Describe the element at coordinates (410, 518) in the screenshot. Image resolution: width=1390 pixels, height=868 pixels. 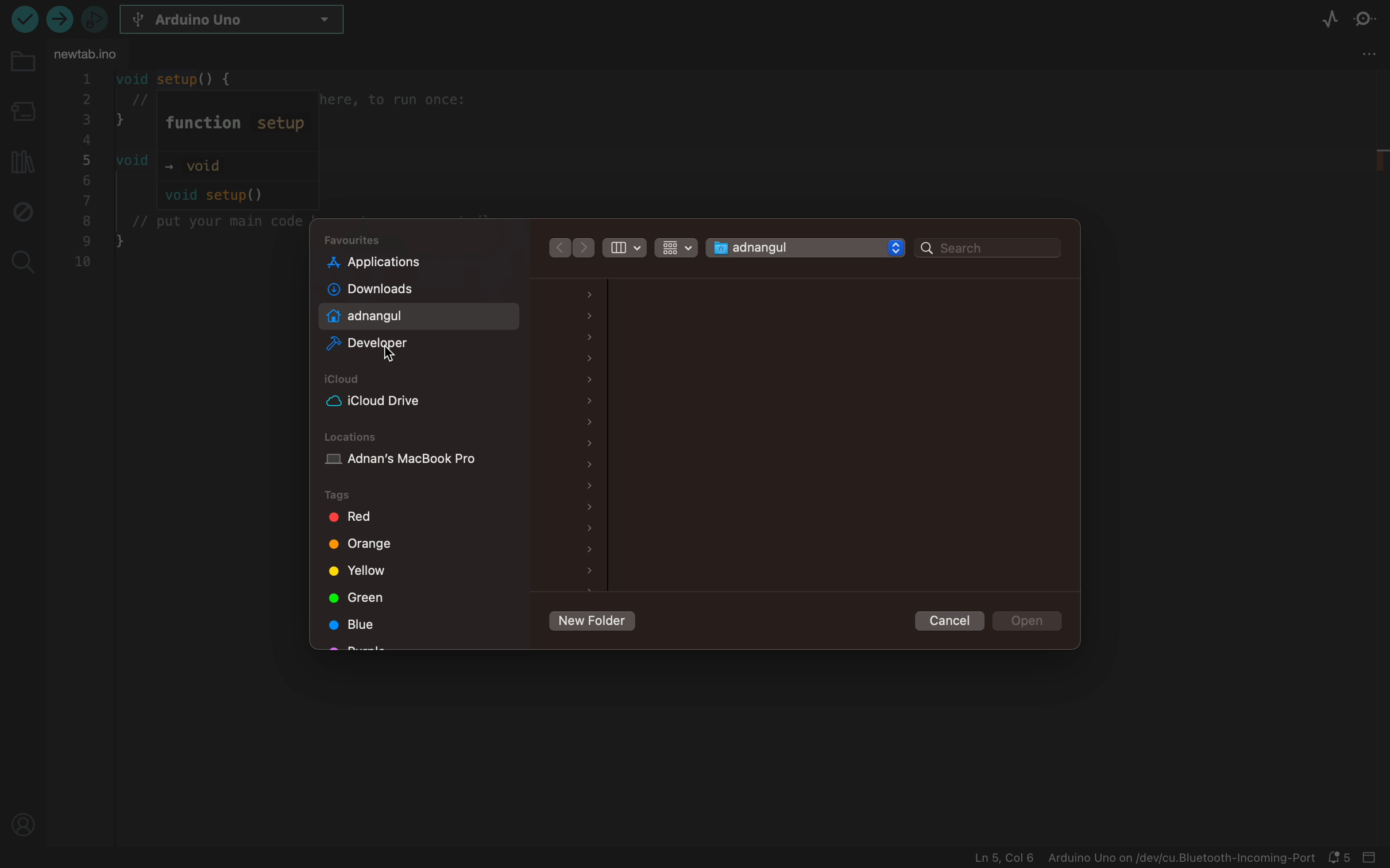
I see `tags` at that location.